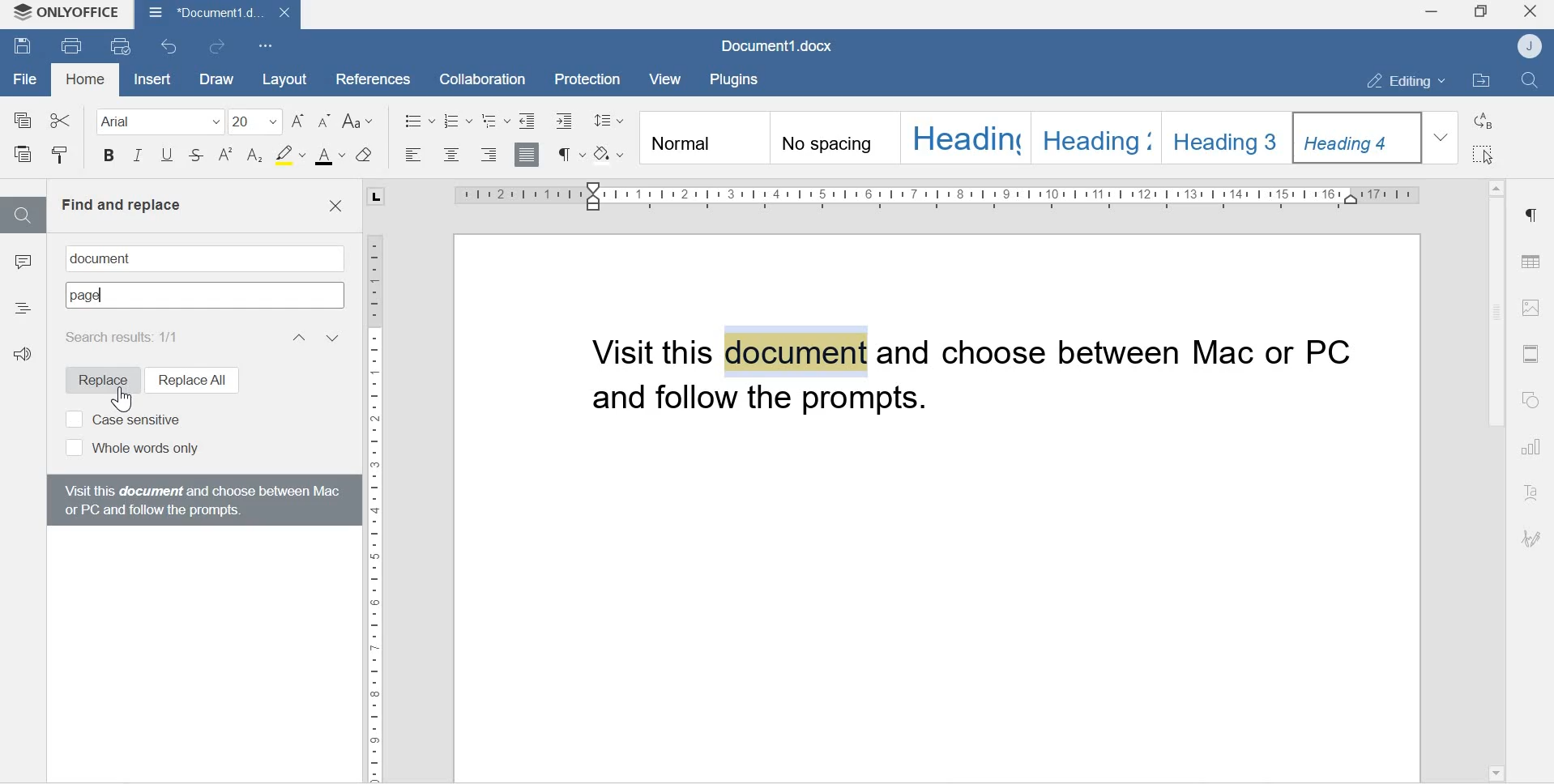 The height and width of the screenshot is (784, 1554). Describe the element at coordinates (361, 121) in the screenshot. I see `Change case` at that location.